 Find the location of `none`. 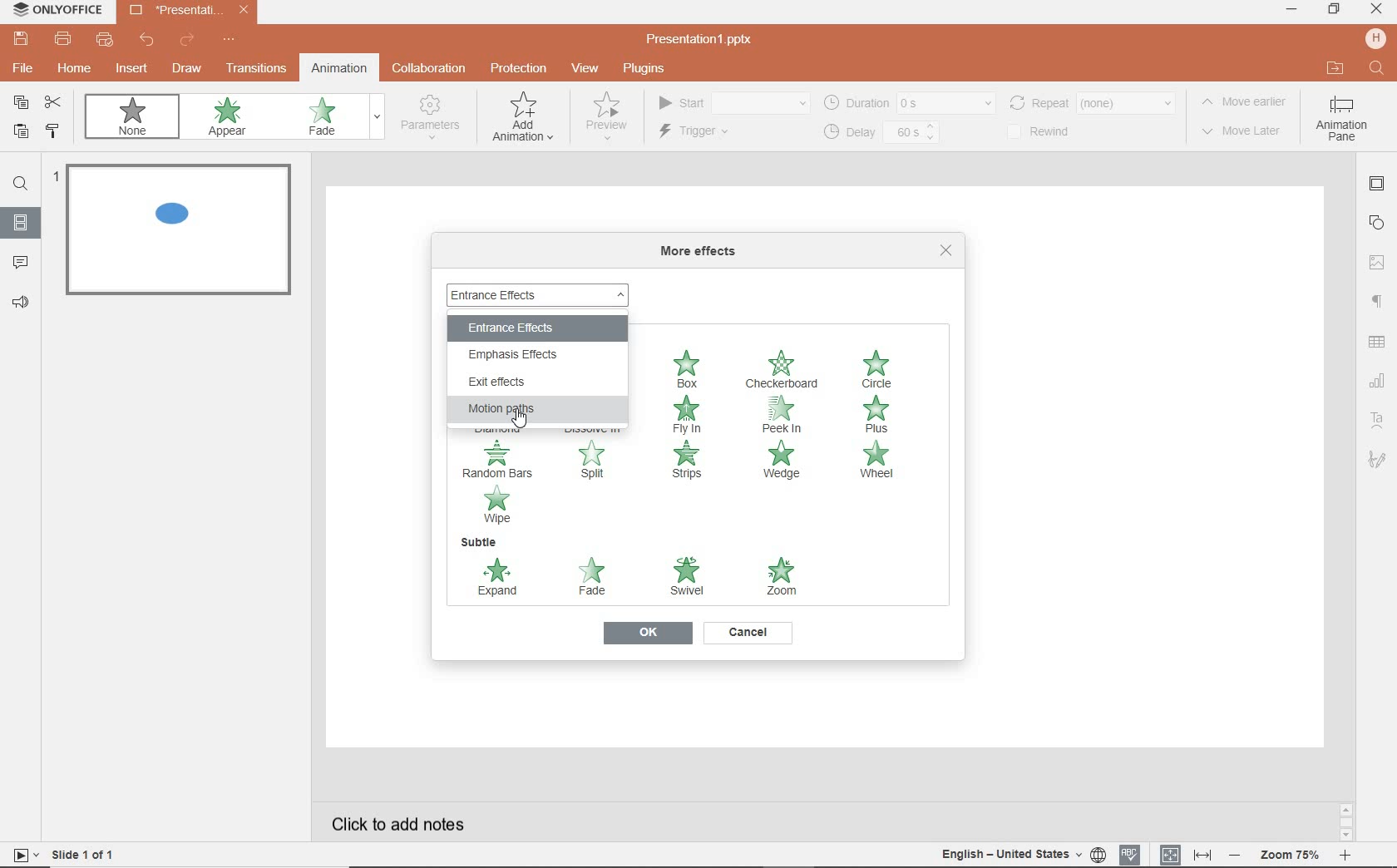

none is located at coordinates (136, 120).